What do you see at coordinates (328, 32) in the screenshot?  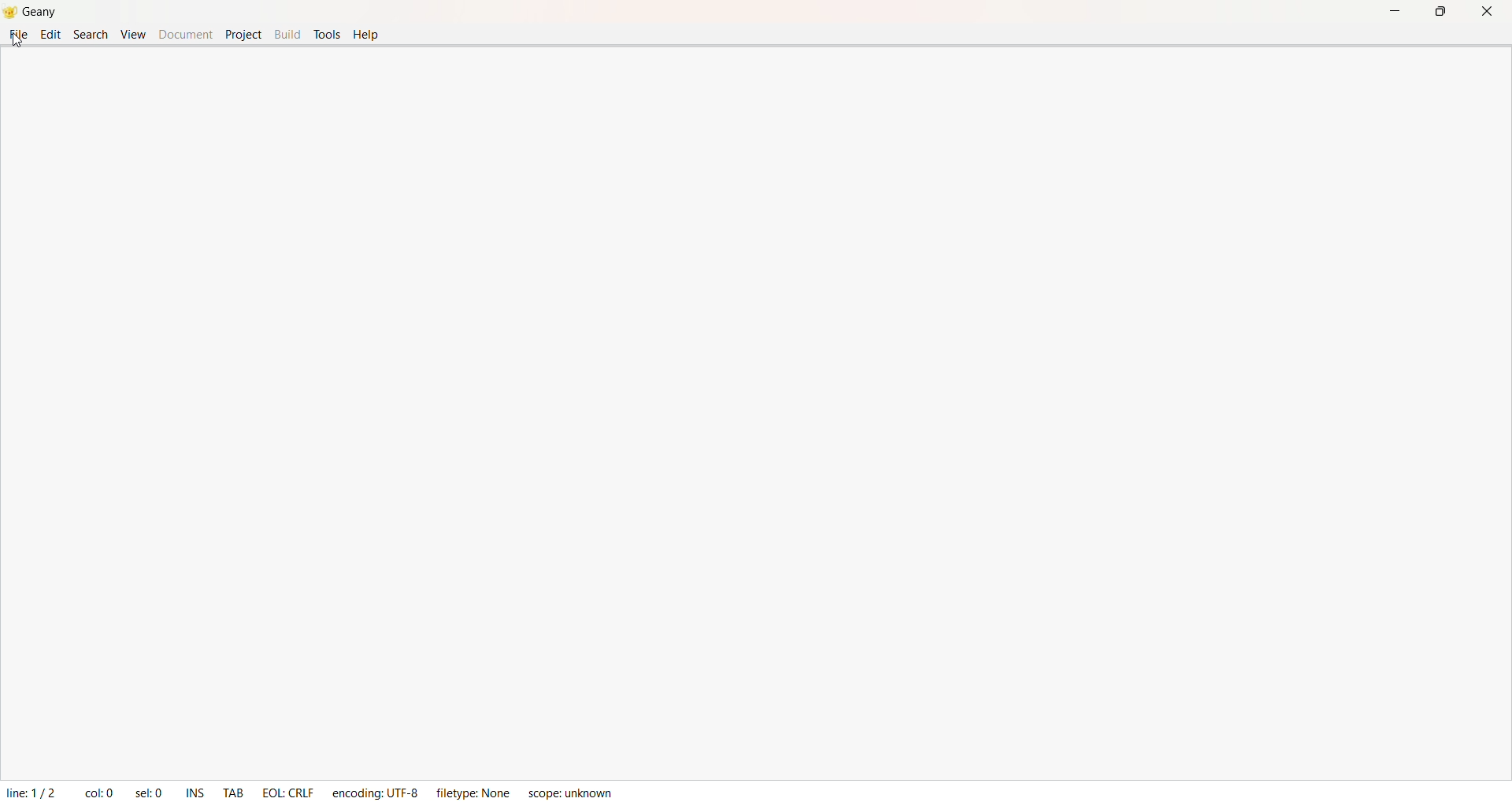 I see `Tools` at bounding box center [328, 32].